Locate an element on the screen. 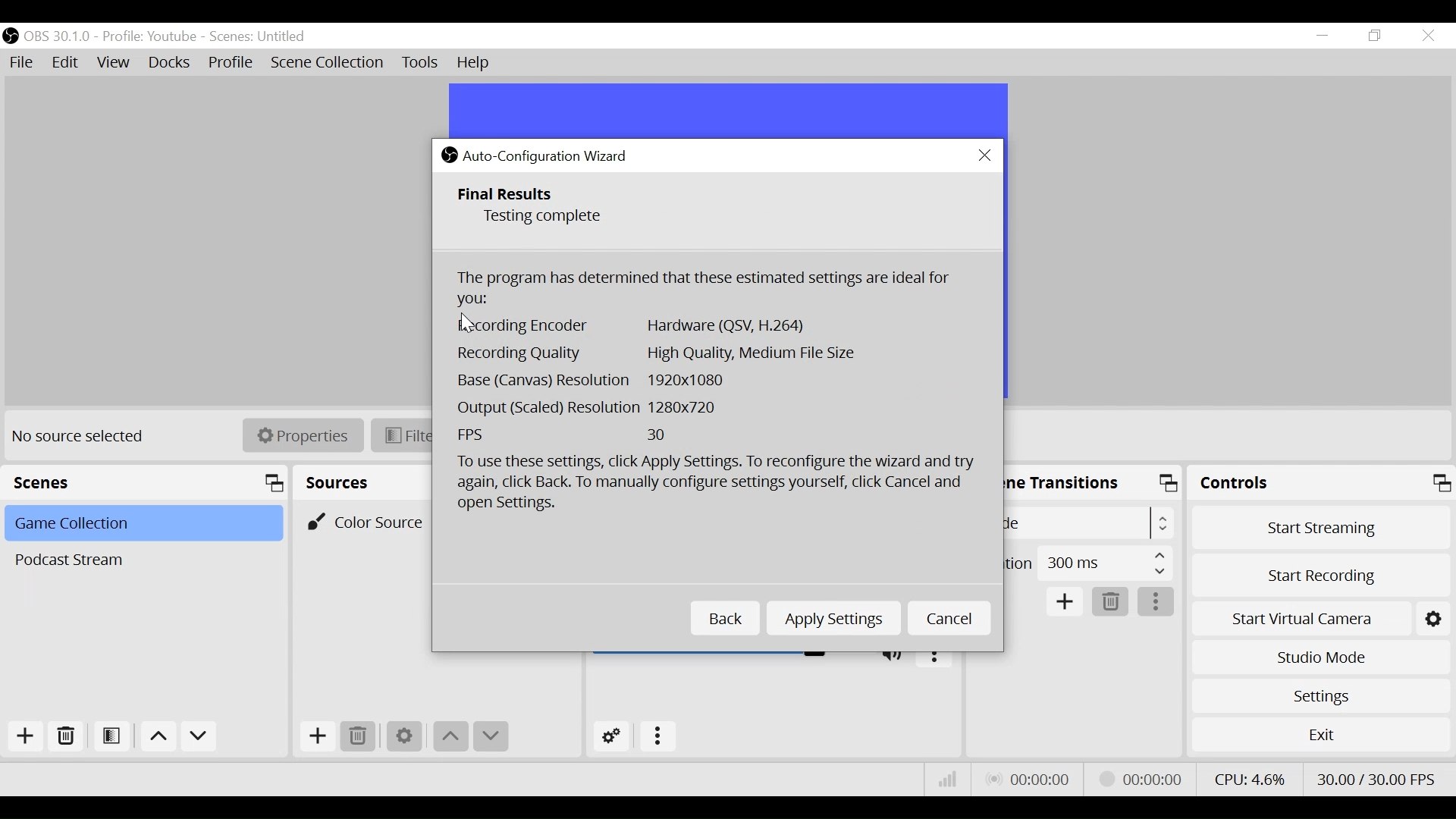 The height and width of the screenshot is (819, 1456). CPU Usage is located at coordinates (1249, 779).